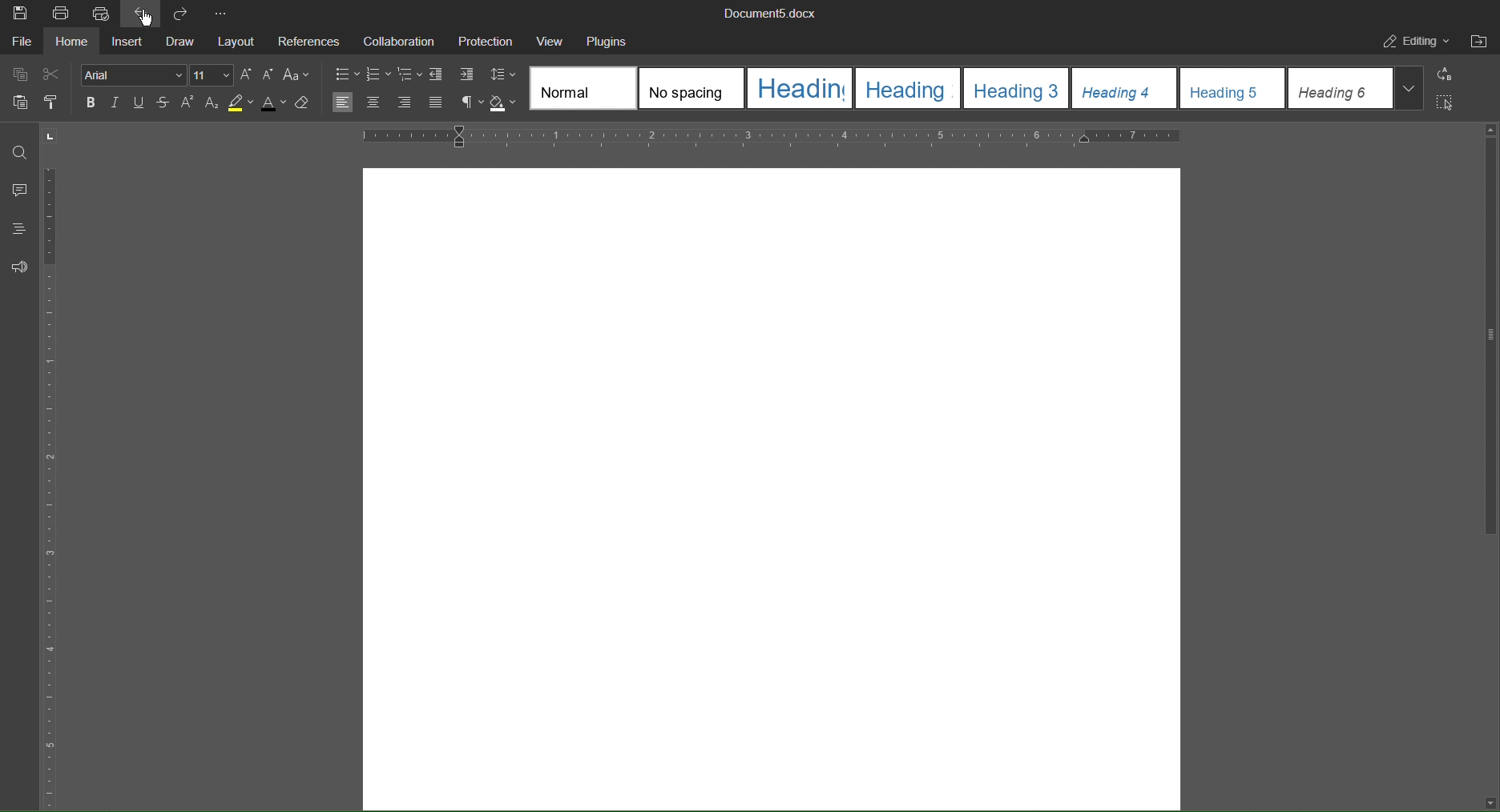 This screenshot has height=812, width=1500. Describe the element at coordinates (274, 102) in the screenshot. I see `Text Color` at that location.